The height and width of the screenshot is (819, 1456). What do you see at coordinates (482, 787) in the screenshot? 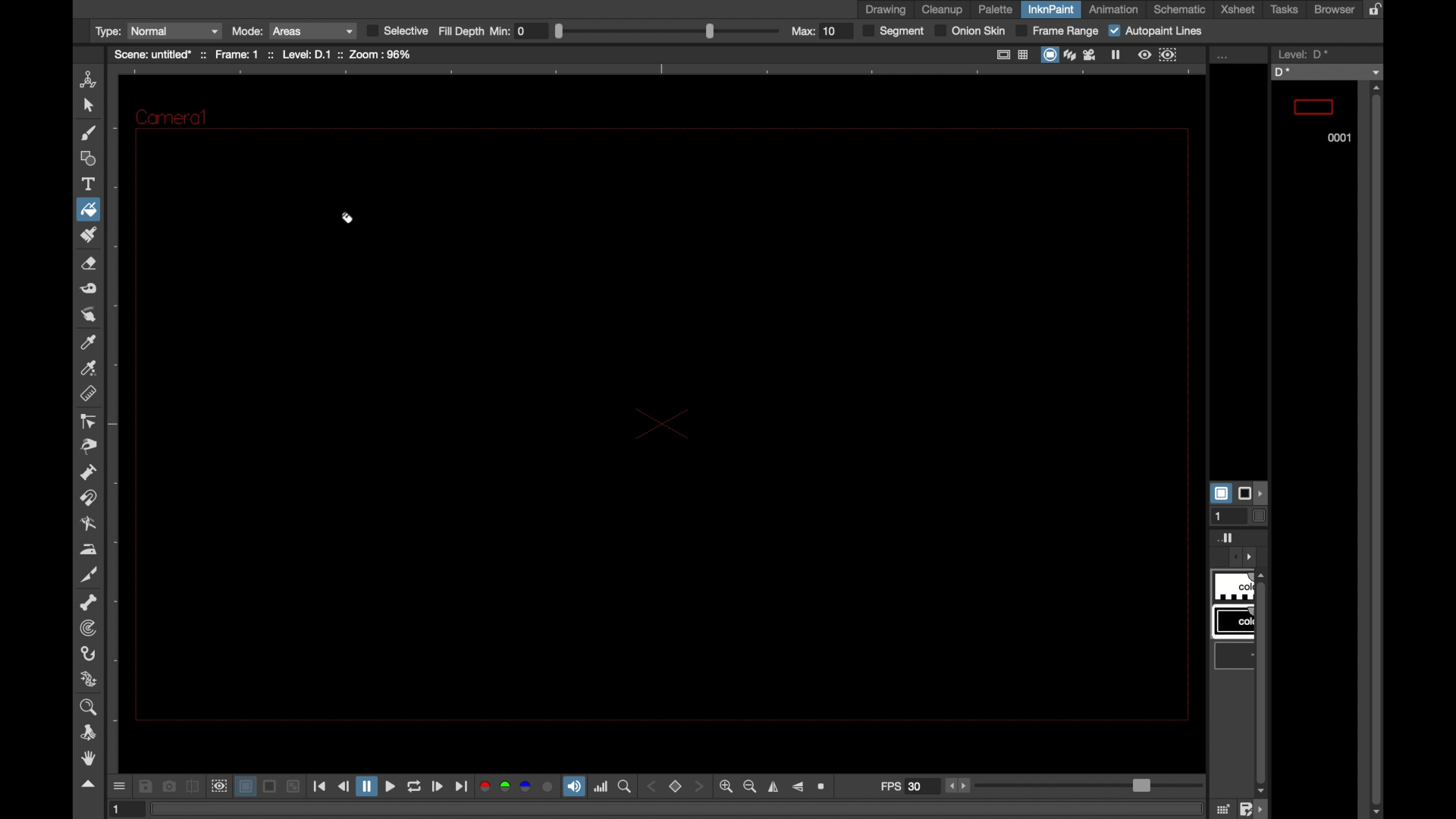
I see `red` at bounding box center [482, 787].